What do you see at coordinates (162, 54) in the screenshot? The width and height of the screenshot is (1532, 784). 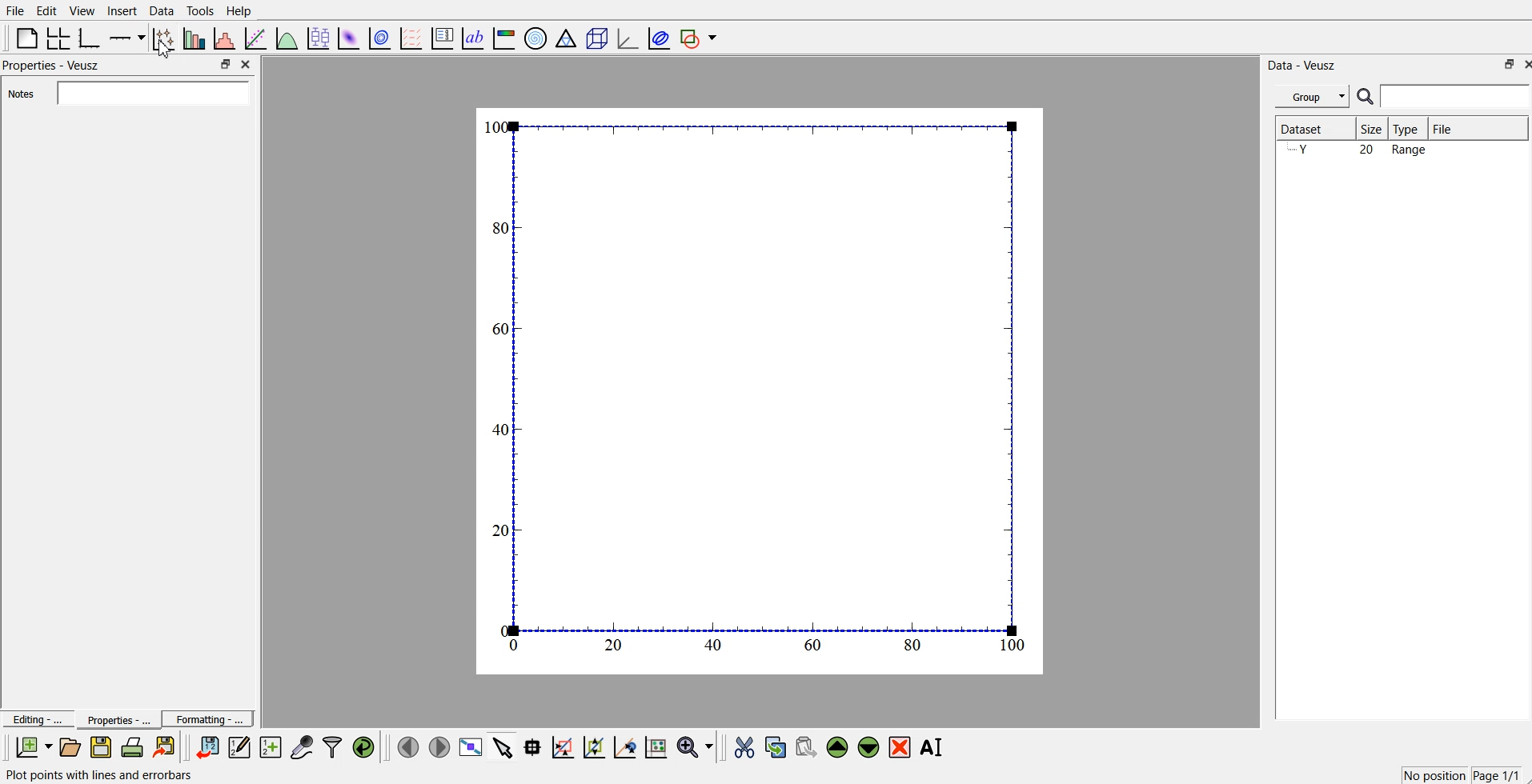 I see `cursor` at bounding box center [162, 54].